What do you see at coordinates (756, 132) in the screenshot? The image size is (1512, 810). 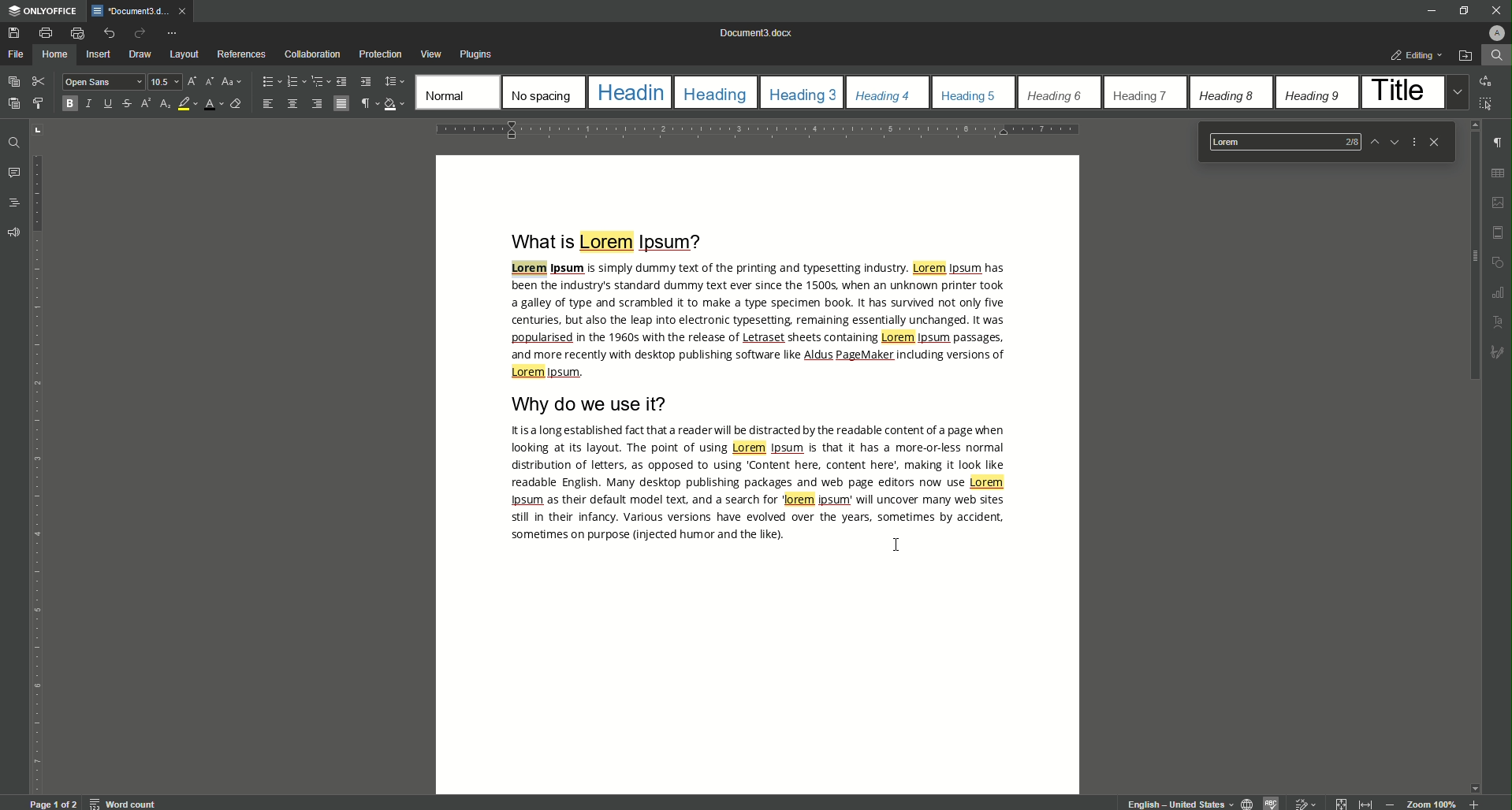 I see `horizontal scale` at bounding box center [756, 132].